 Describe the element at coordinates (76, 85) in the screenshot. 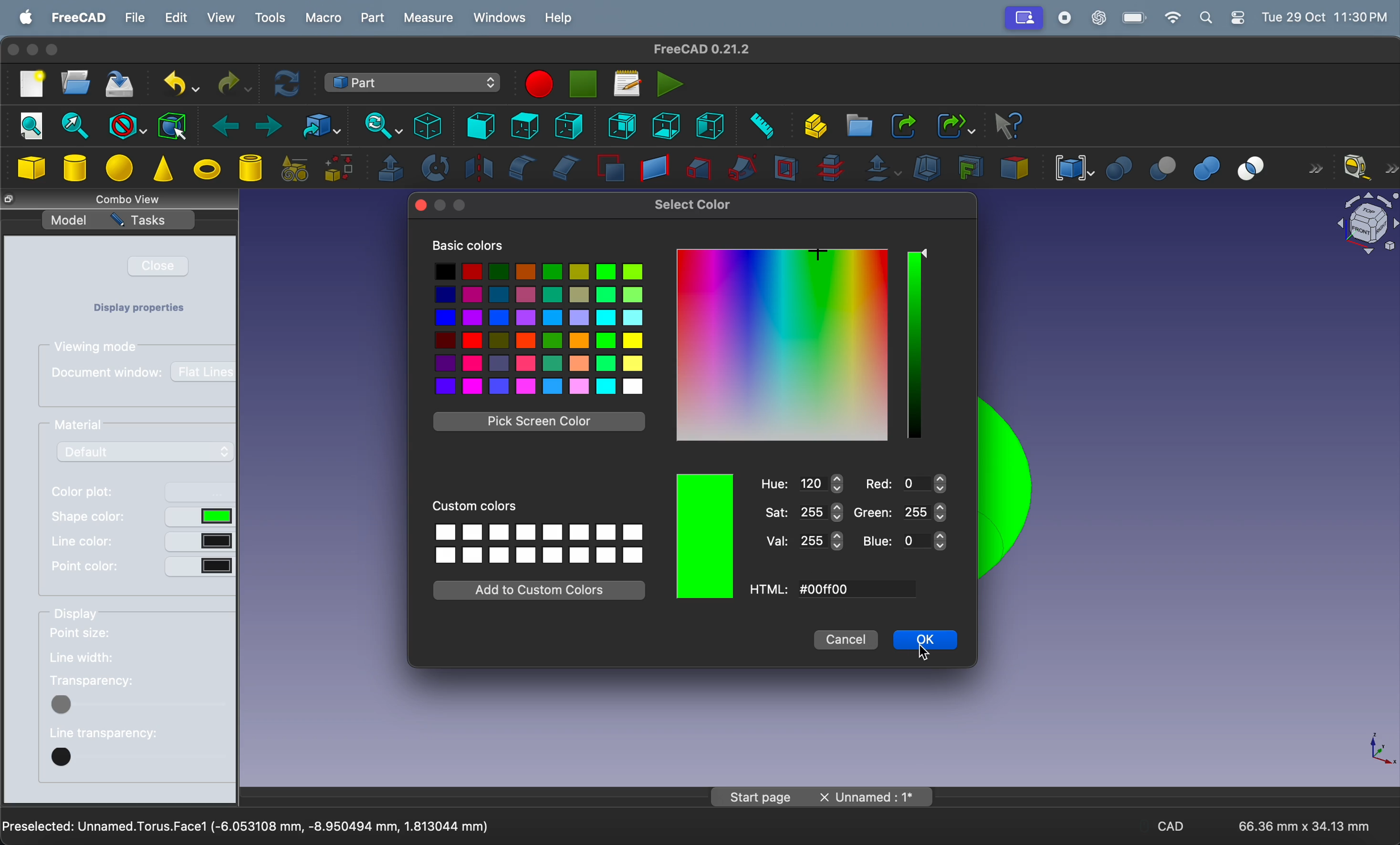

I see `open` at that location.